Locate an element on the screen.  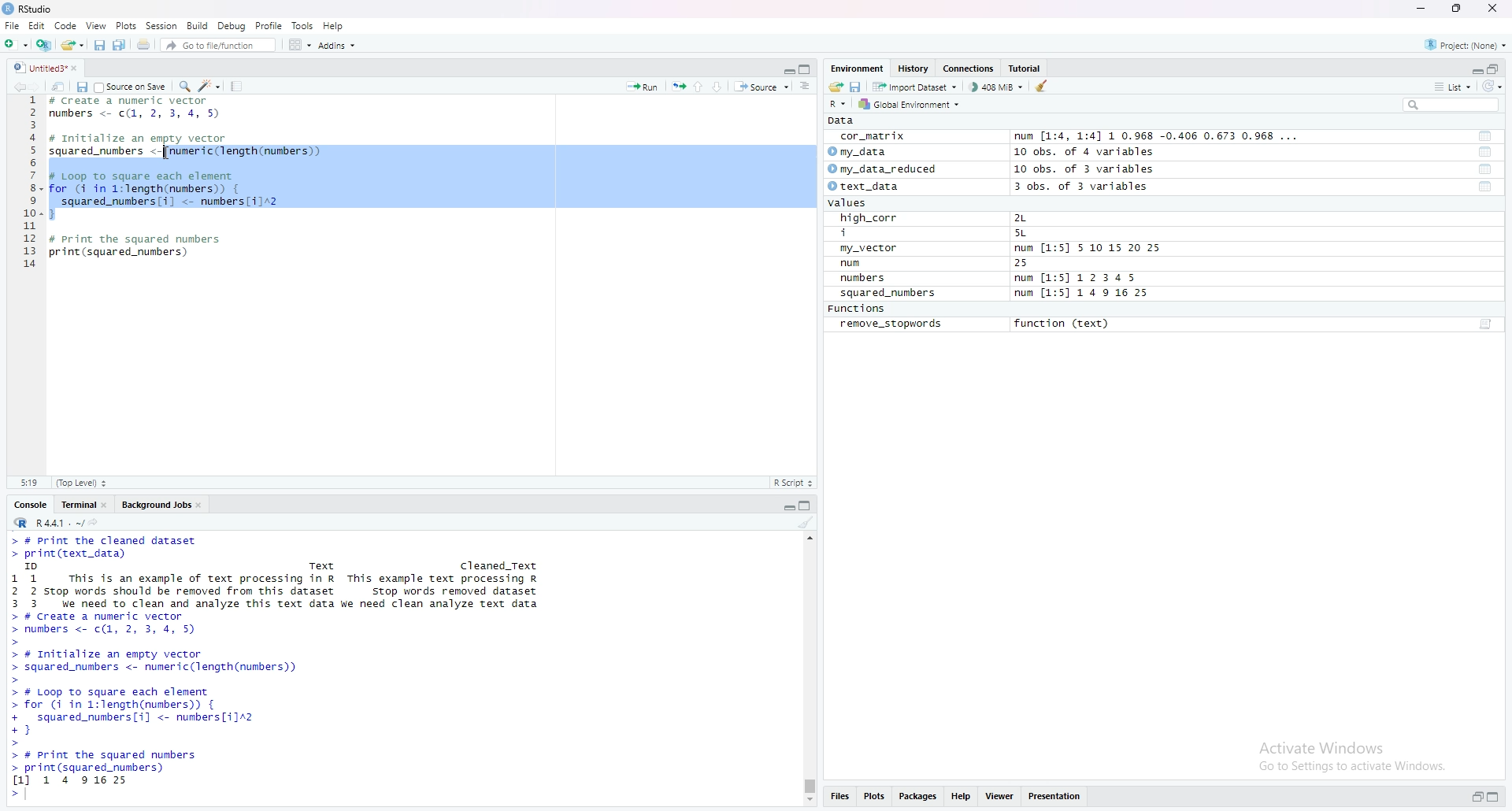
Import Dataset is located at coordinates (914, 86).